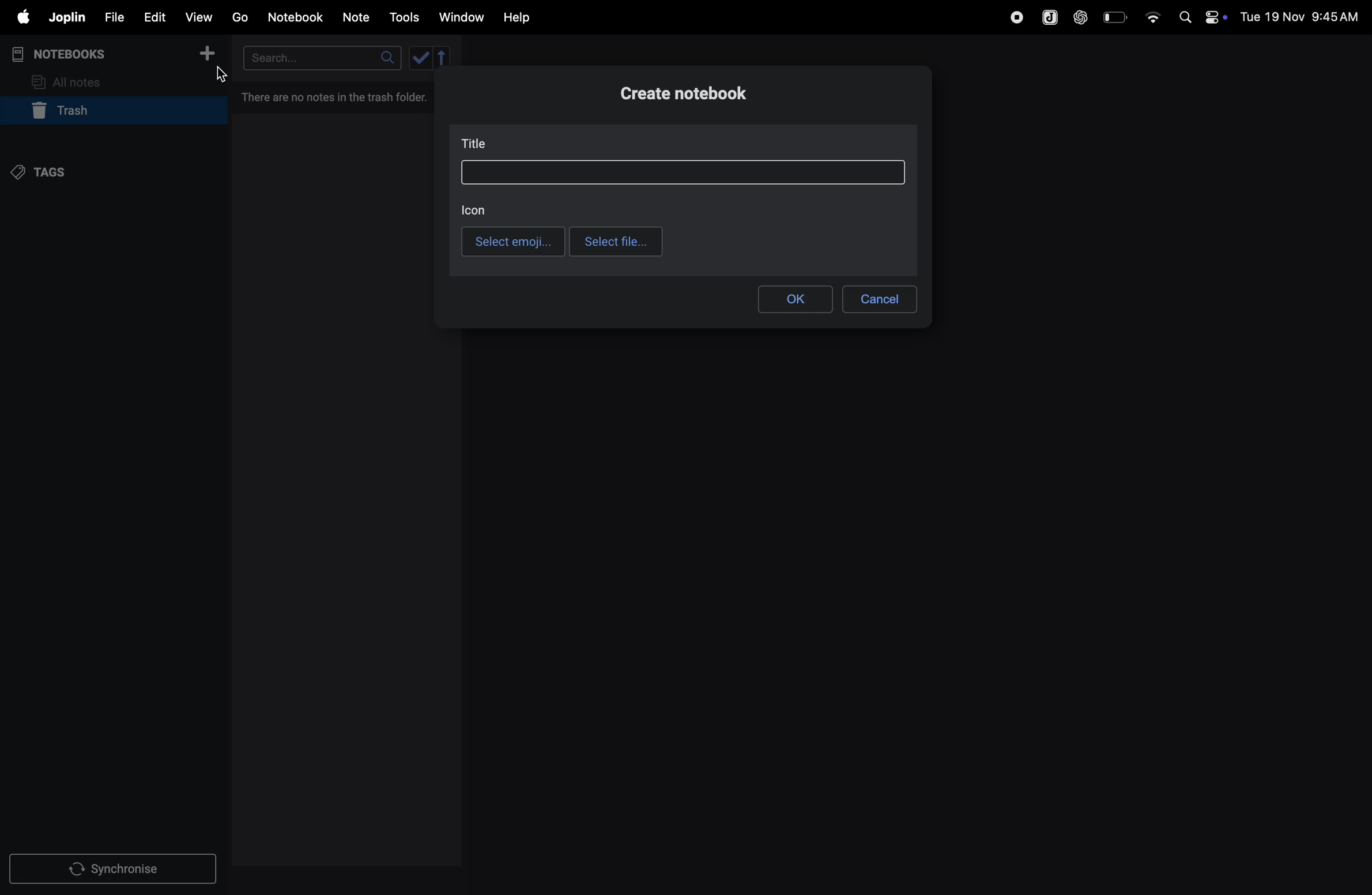 Image resolution: width=1372 pixels, height=895 pixels. Describe the element at coordinates (1016, 16) in the screenshot. I see `record` at that location.